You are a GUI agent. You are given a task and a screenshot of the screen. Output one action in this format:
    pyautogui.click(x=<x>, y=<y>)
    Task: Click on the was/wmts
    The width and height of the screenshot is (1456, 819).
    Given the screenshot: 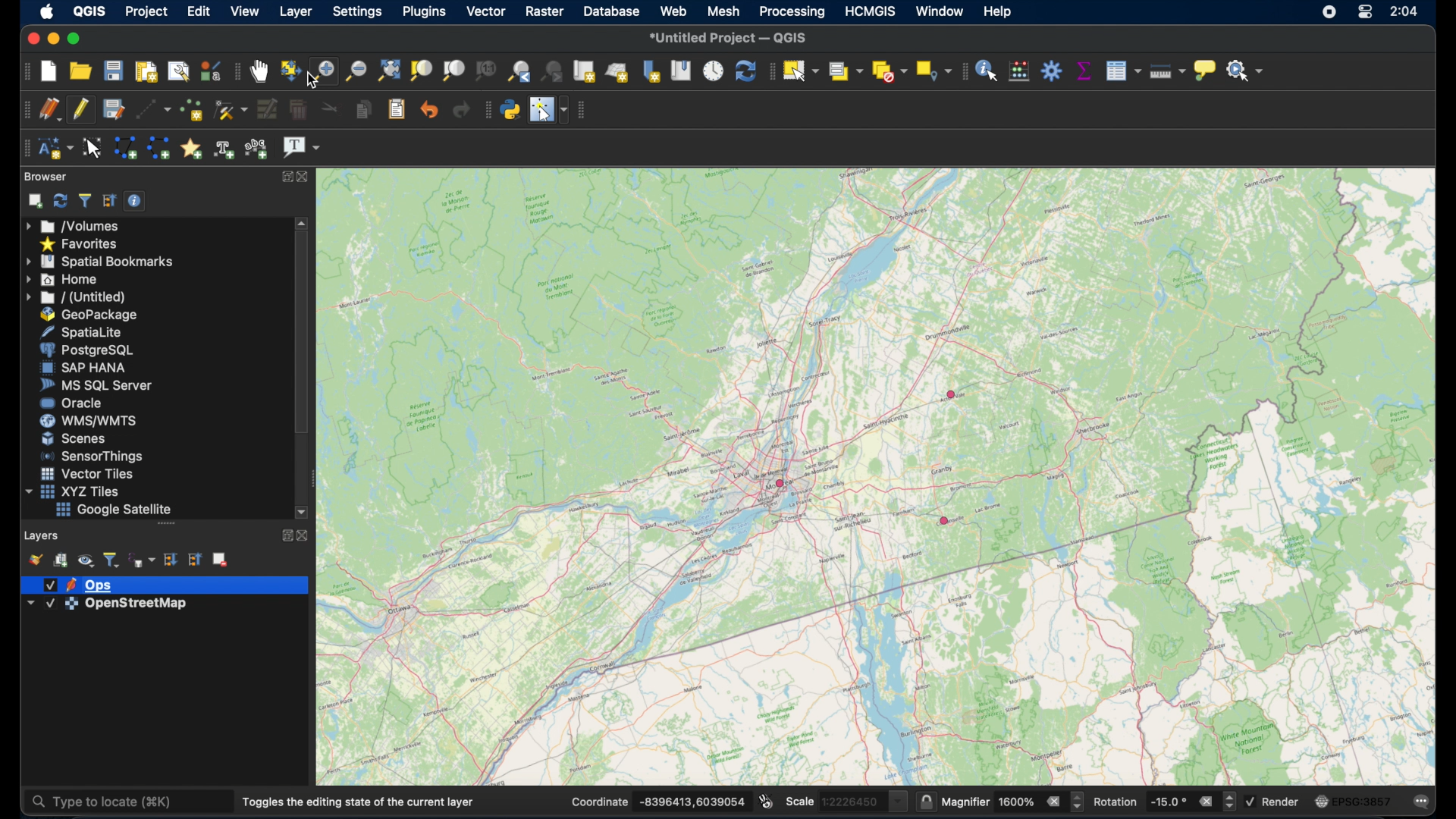 What is the action you would take?
    pyautogui.click(x=85, y=421)
    